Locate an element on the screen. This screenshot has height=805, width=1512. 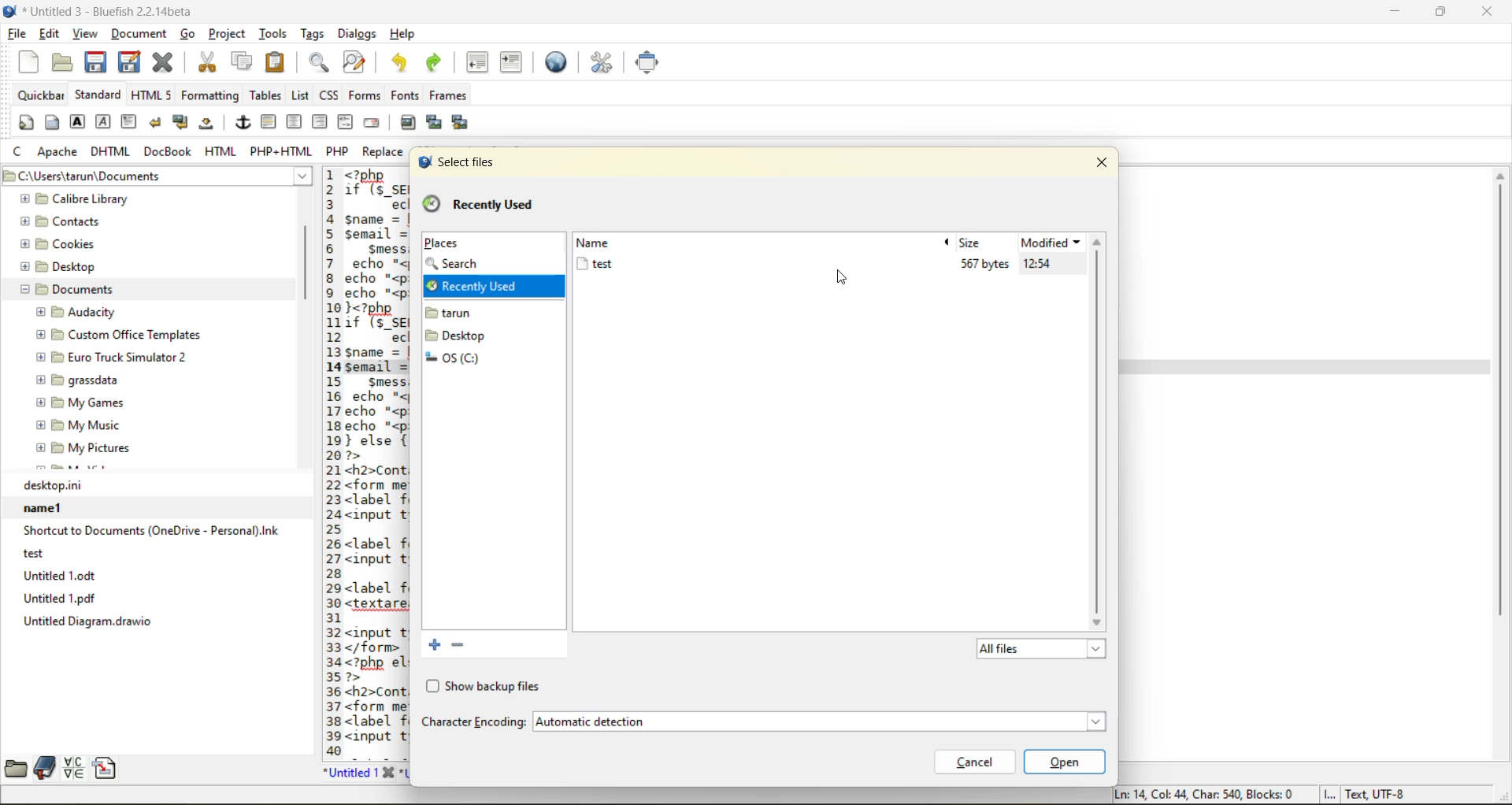
minimize is located at coordinates (1392, 11).